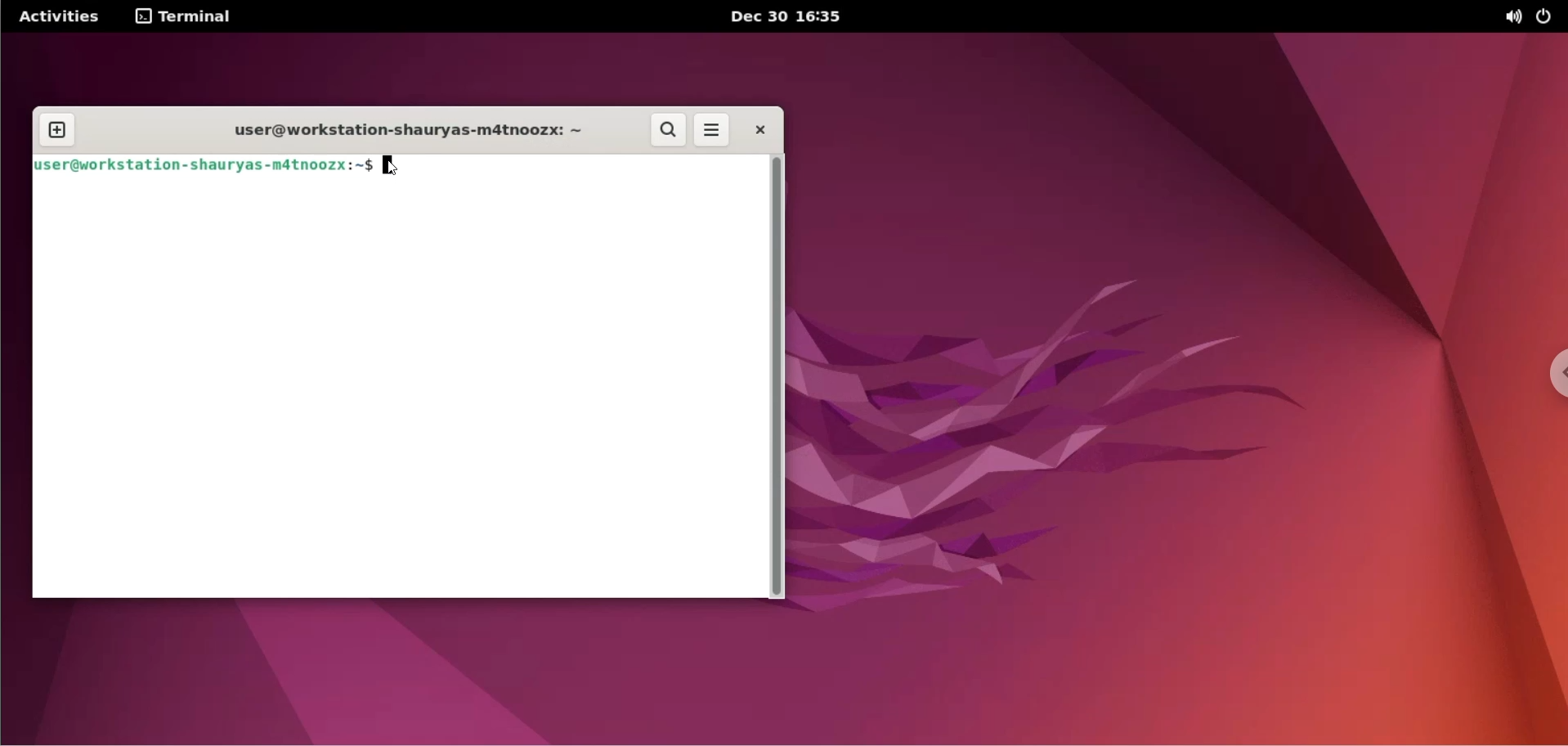 The image size is (1568, 746). What do you see at coordinates (788, 16) in the screenshot?
I see `Dec 30 16:35` at bounding box center [788, 16].